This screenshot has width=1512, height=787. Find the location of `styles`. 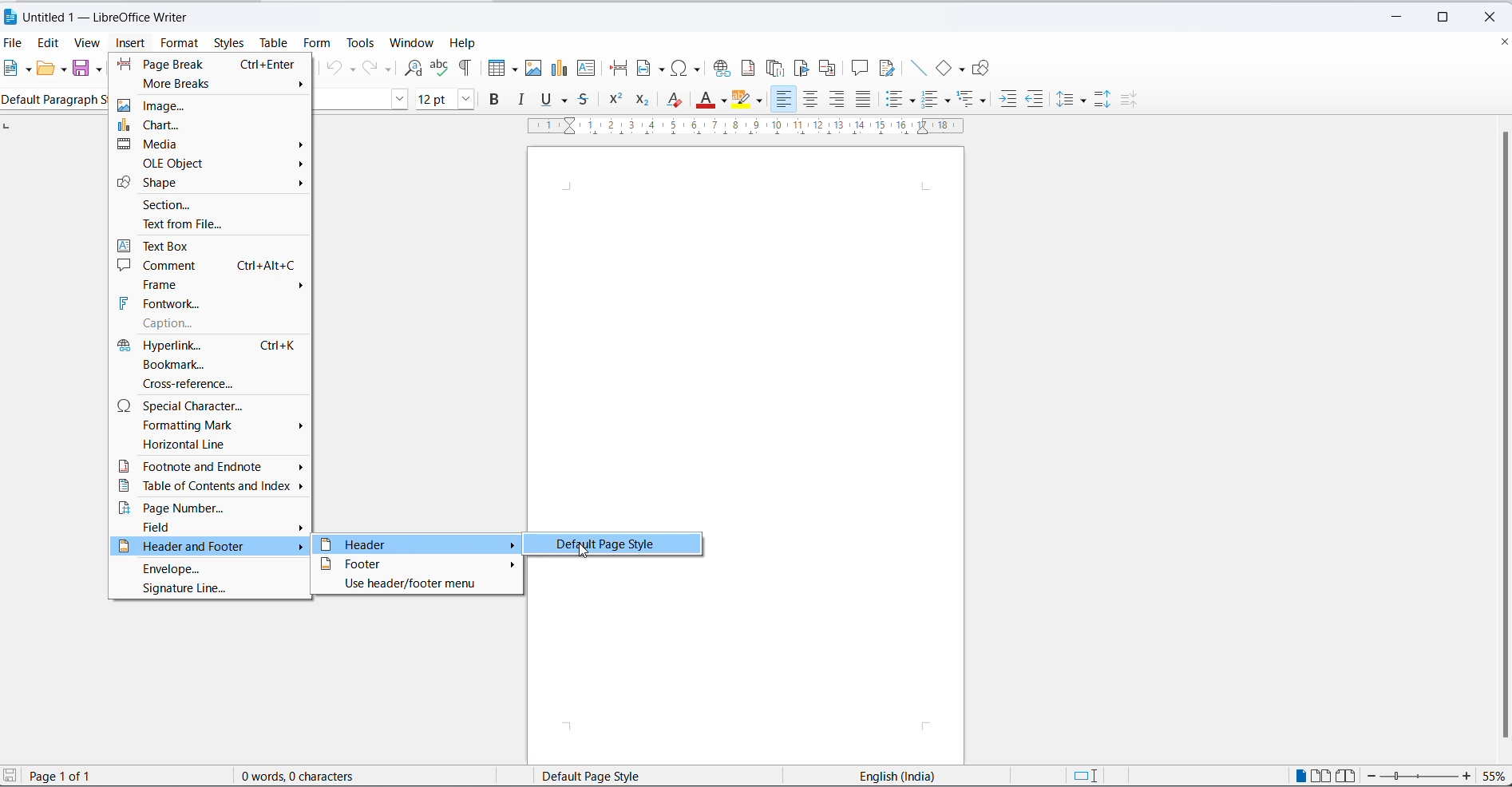

styles is located at coordinates (228, 43).